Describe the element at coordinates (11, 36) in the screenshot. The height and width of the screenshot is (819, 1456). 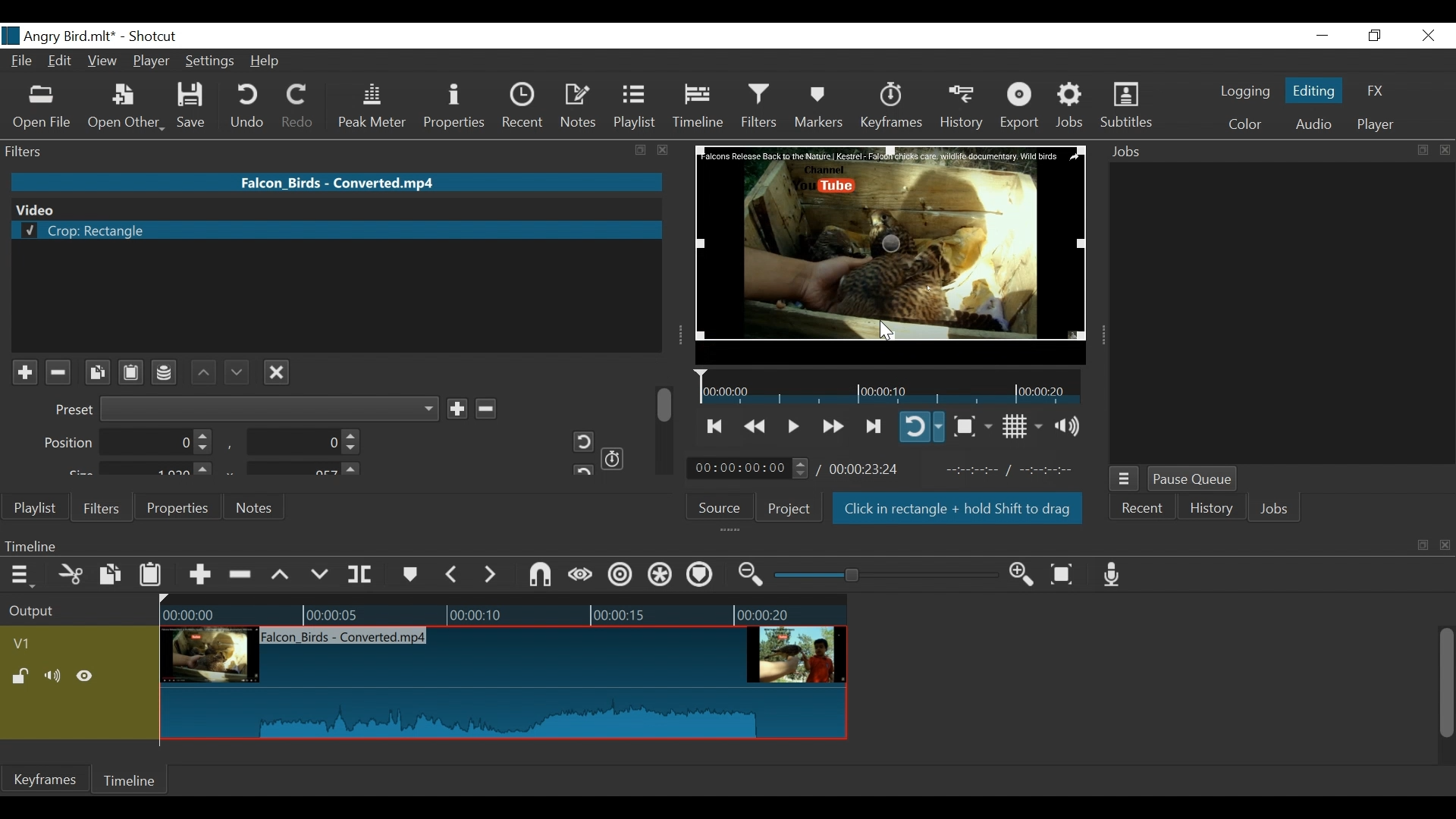
I see `logo` at that location.